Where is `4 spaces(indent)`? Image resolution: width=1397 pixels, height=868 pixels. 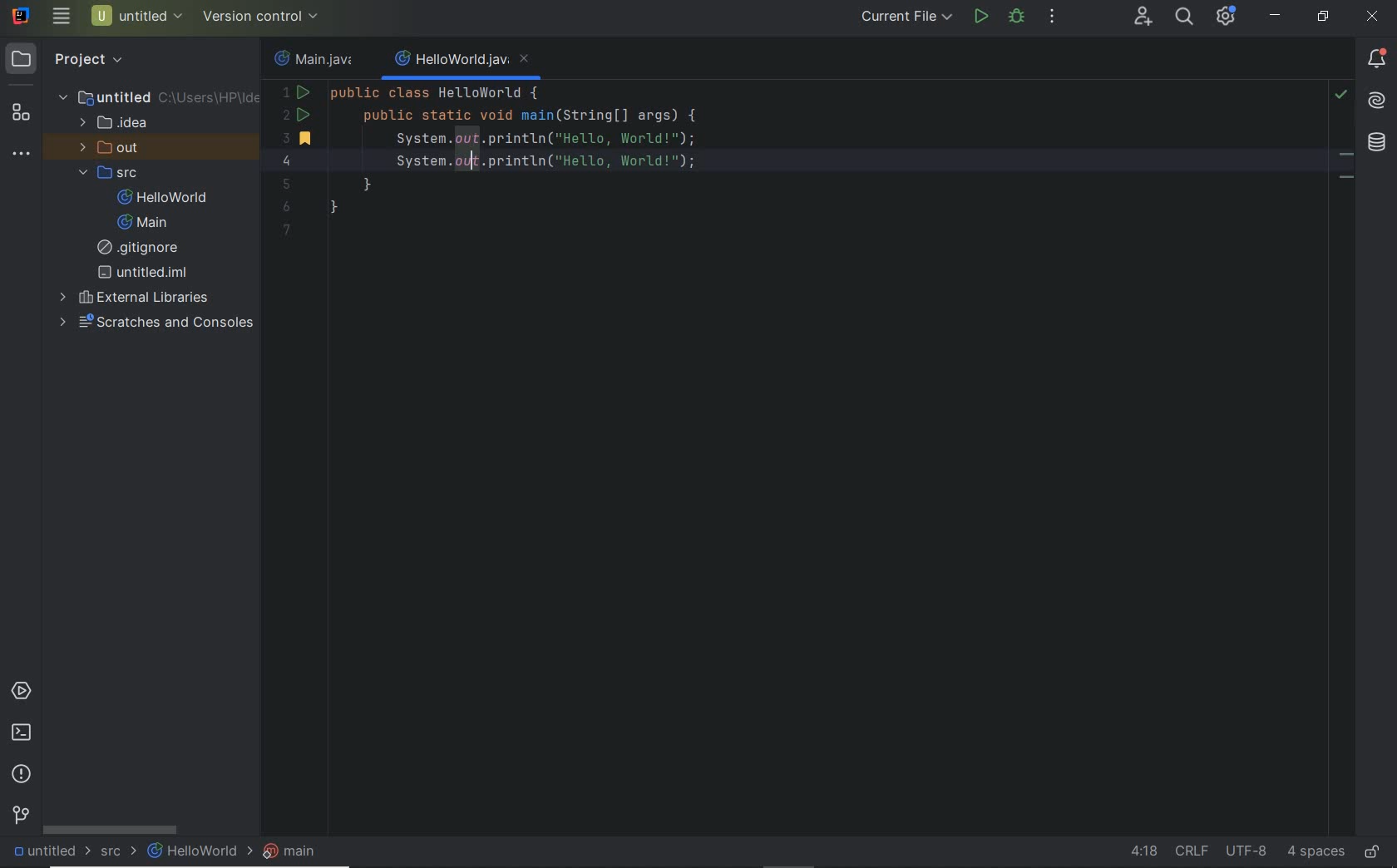 4 spaces(indent) is located at coordinates (1314, 853).